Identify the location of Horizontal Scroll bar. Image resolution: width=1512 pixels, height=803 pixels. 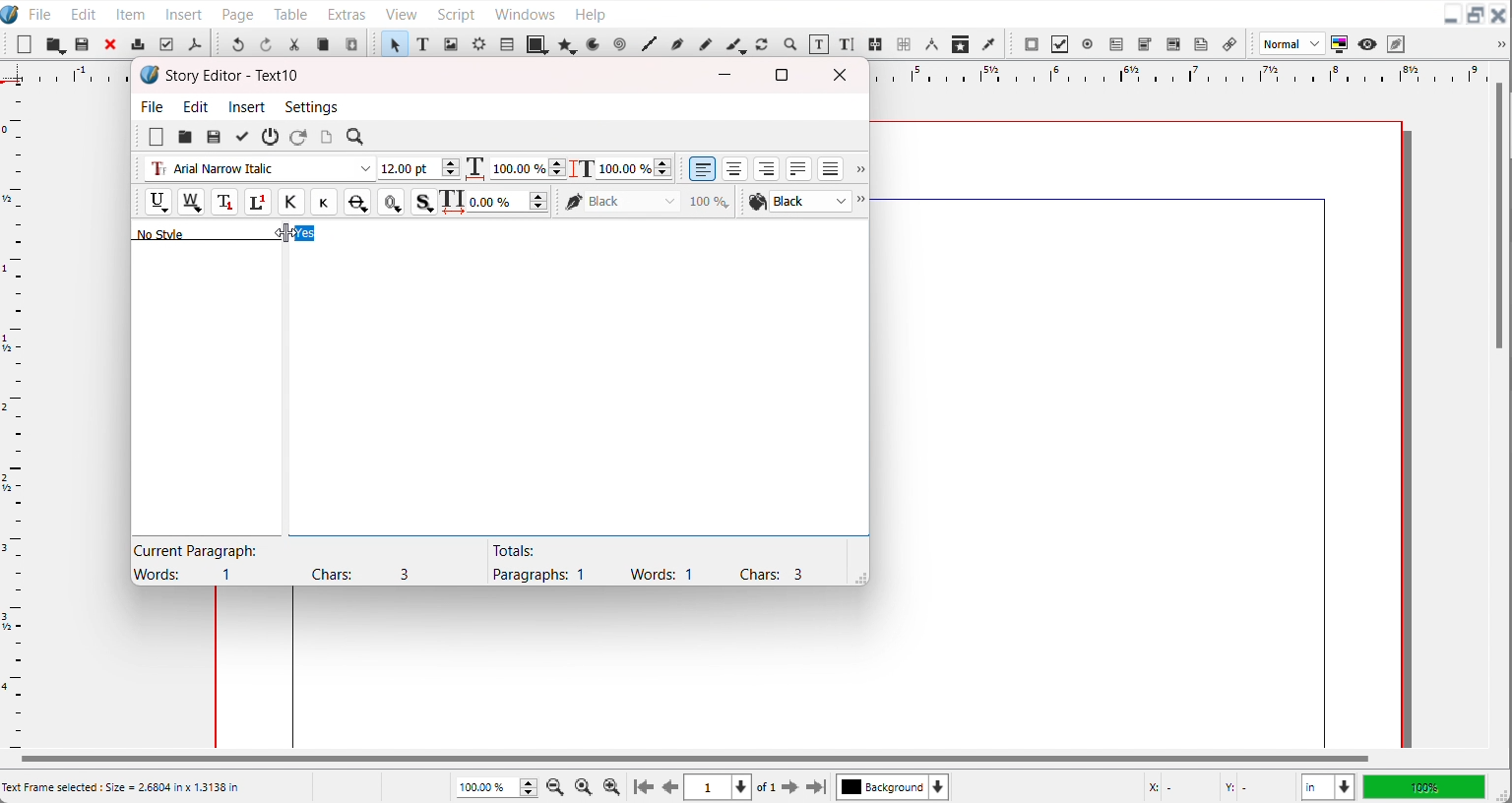
(692, 759).